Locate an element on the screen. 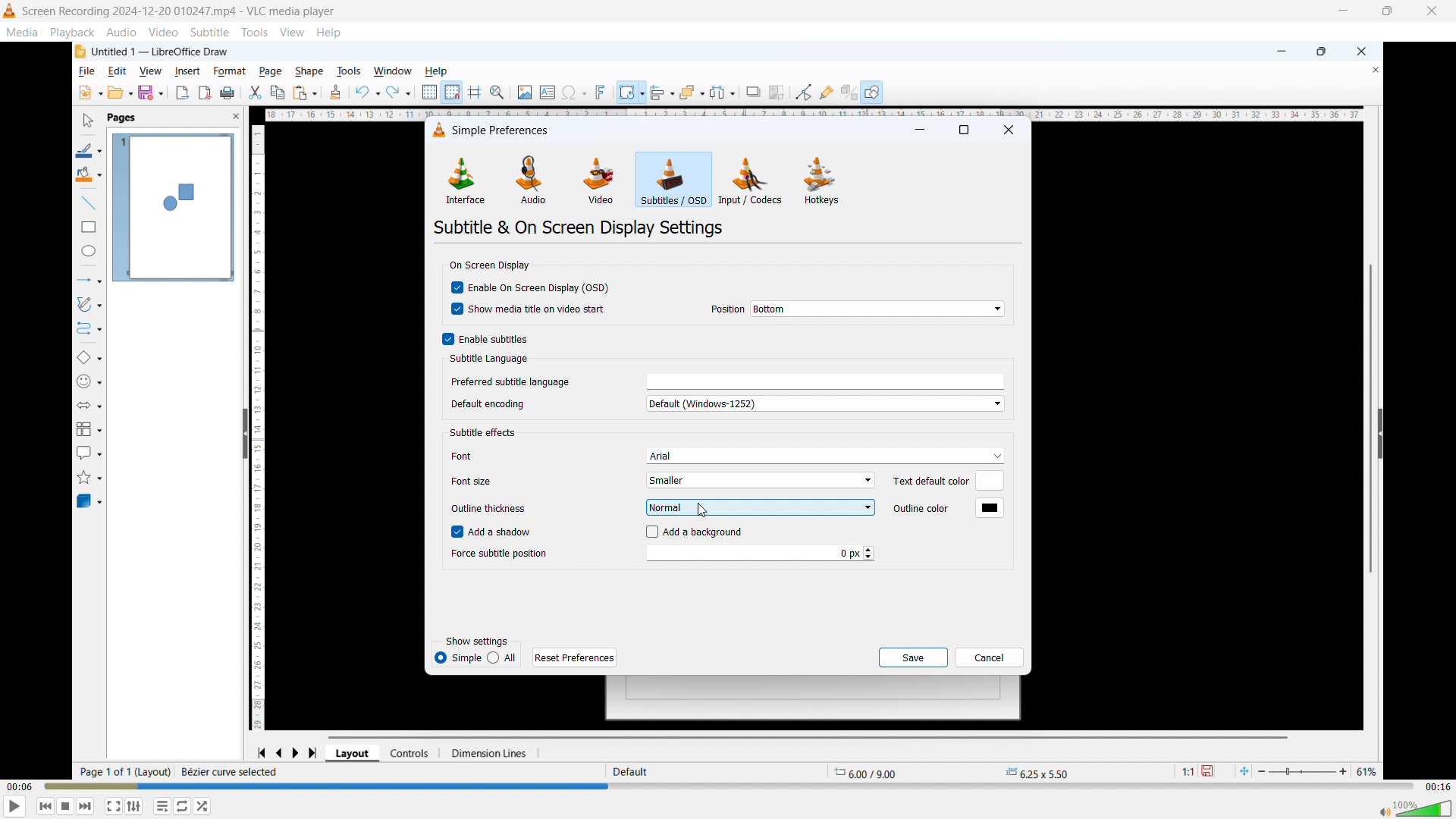 The image size is (1456, 819). Maximise  is located at coordinates (1387, 12).